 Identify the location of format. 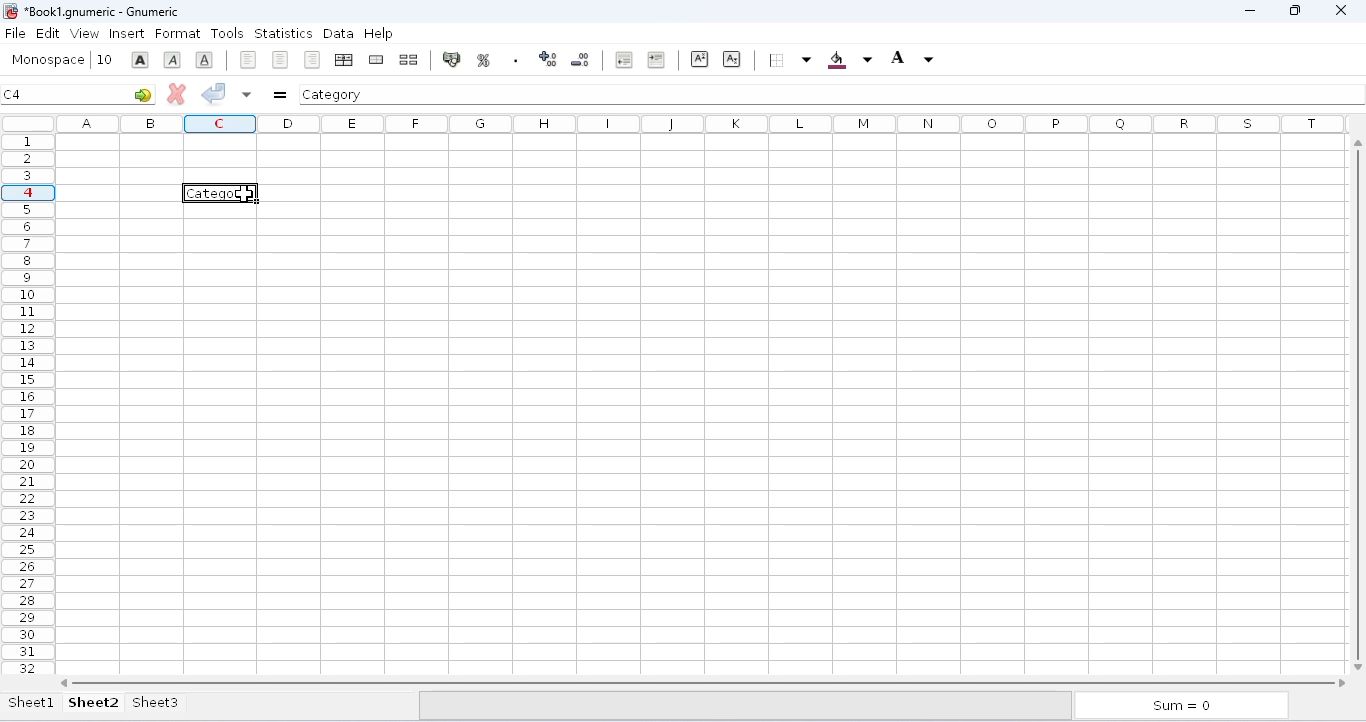
(178, 34).